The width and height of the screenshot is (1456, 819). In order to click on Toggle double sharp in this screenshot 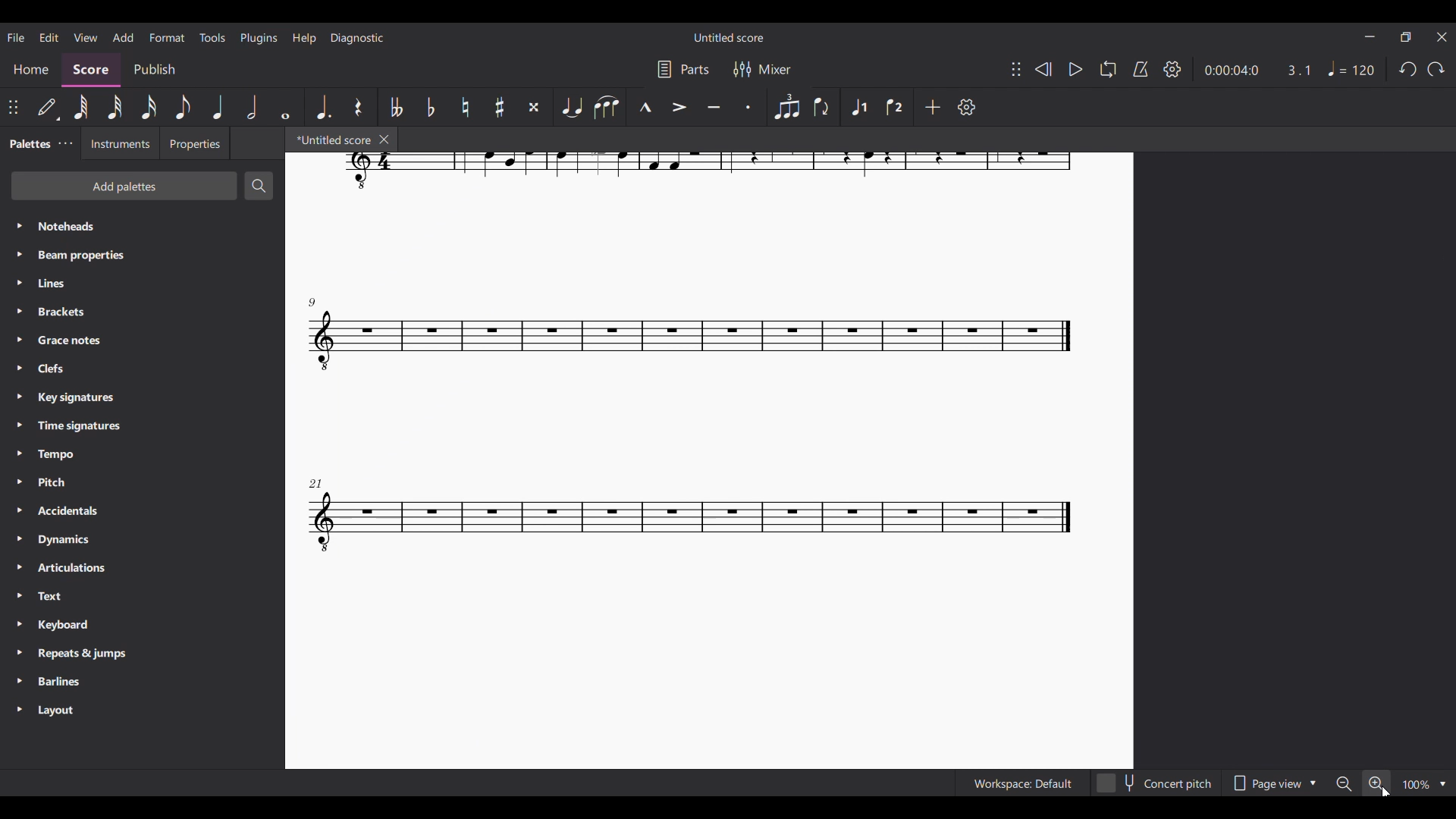, I will do `click(535, 107)`.